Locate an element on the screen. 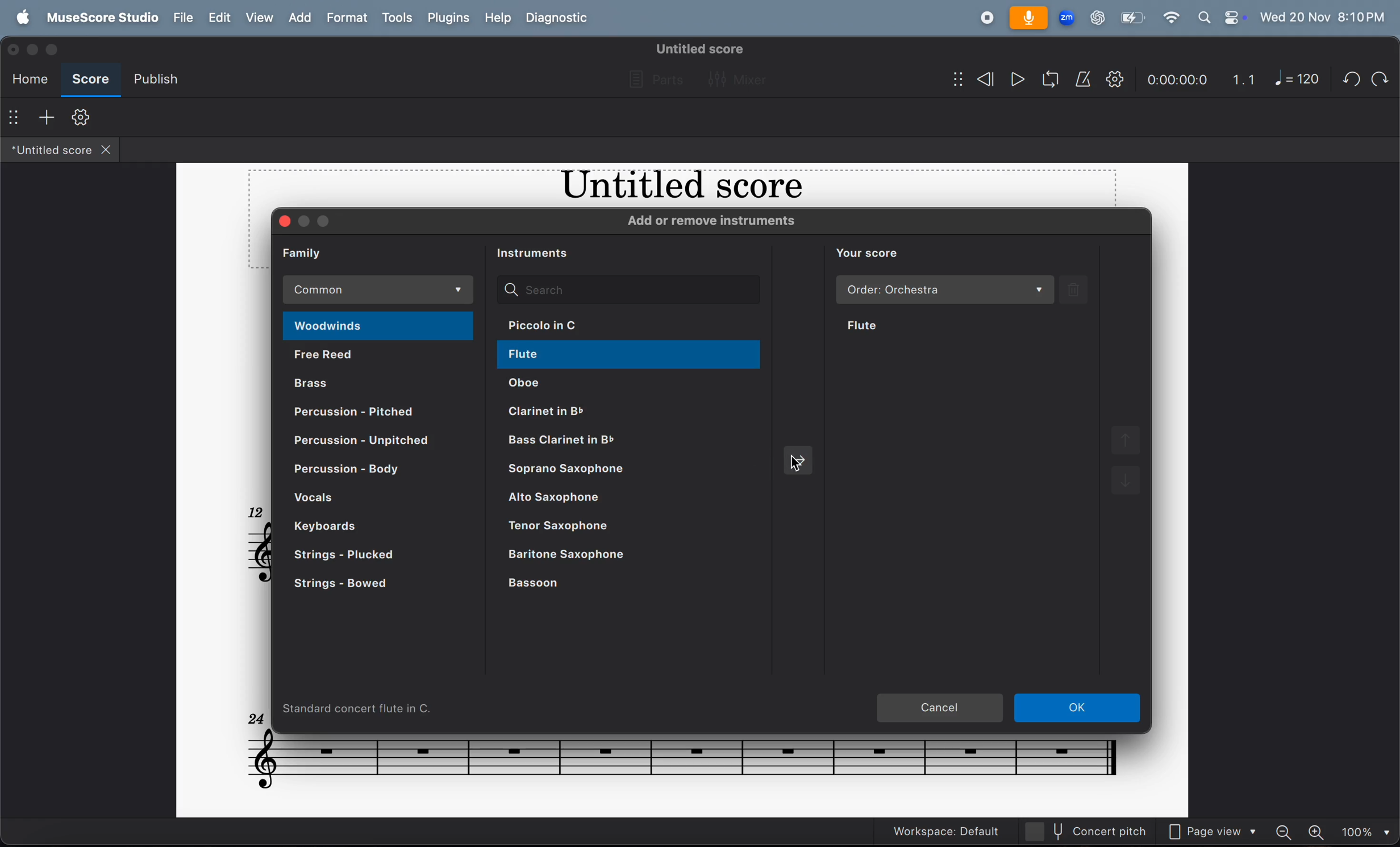 This screenshot has height=847, width=1400. mixer is located at coordinates (735, 77).